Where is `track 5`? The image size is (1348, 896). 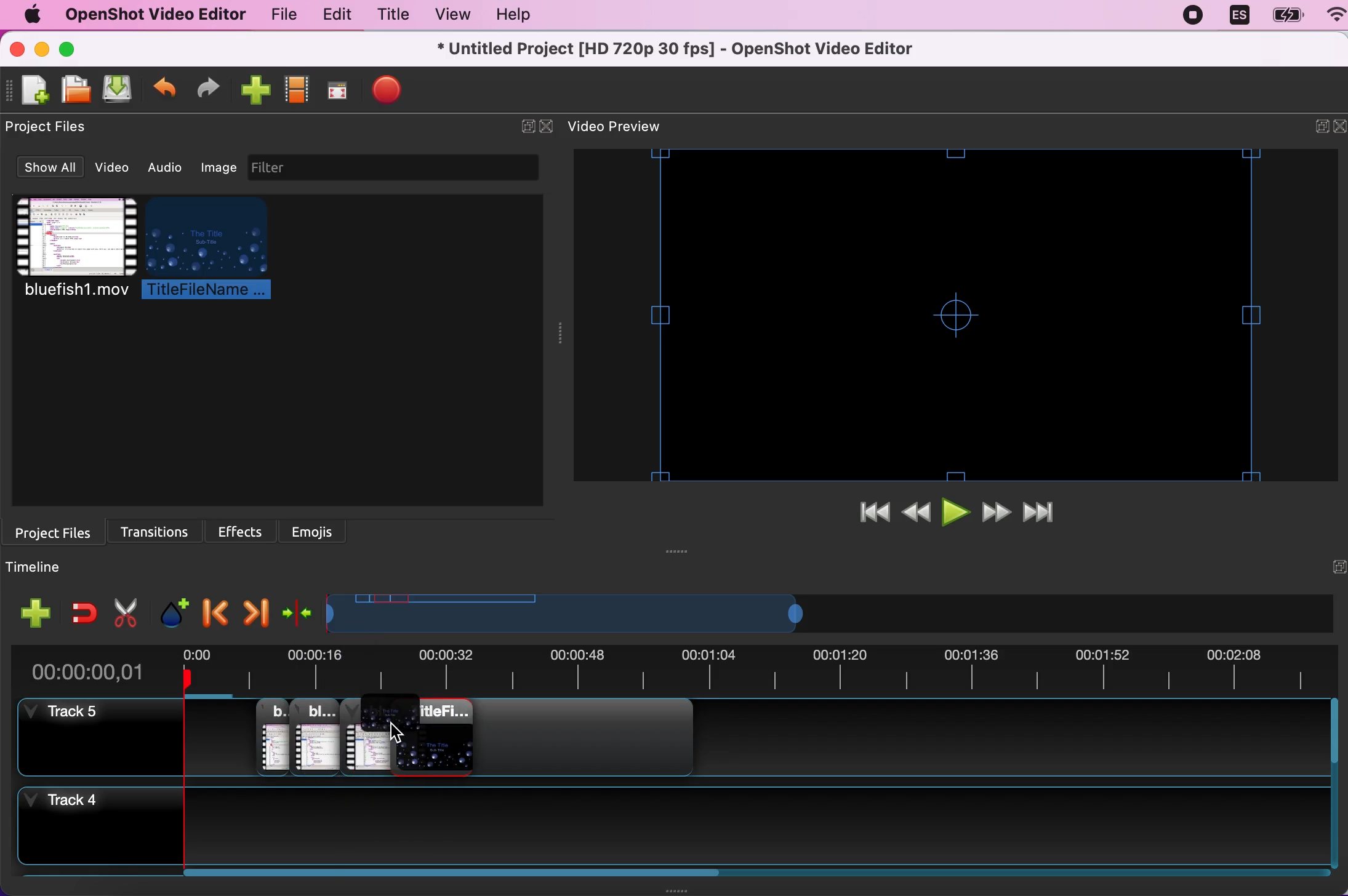 track 5 is located at coordinates (762, 742).